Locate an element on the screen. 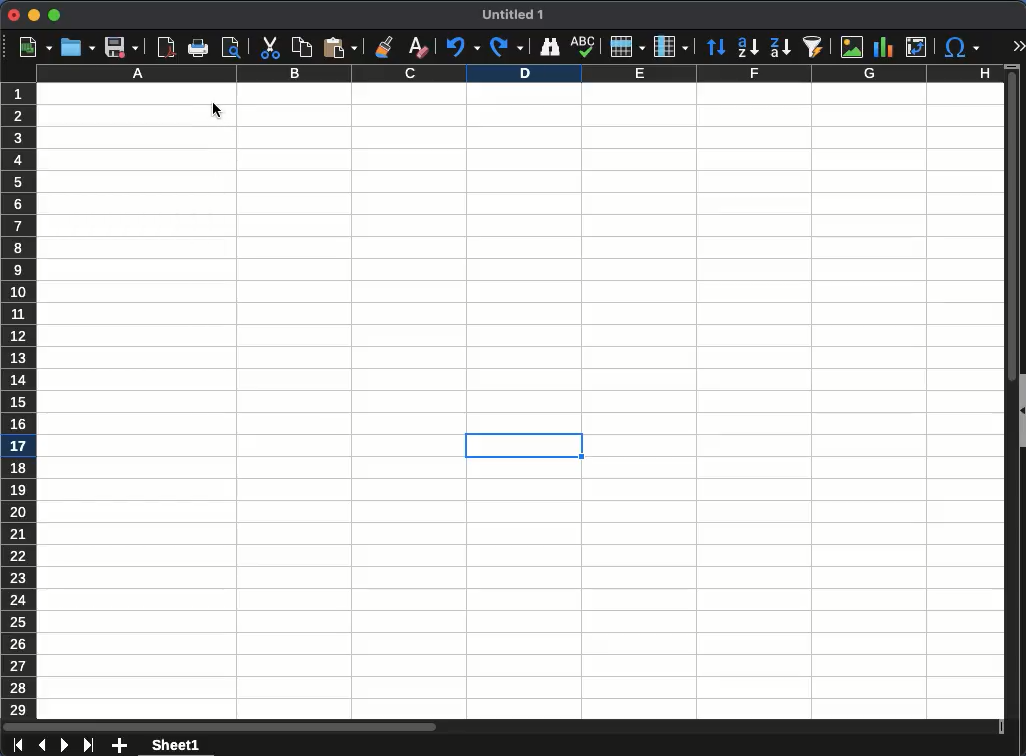 The image size is (1026, 756). clone formatting is located at coordinates (386, 48).